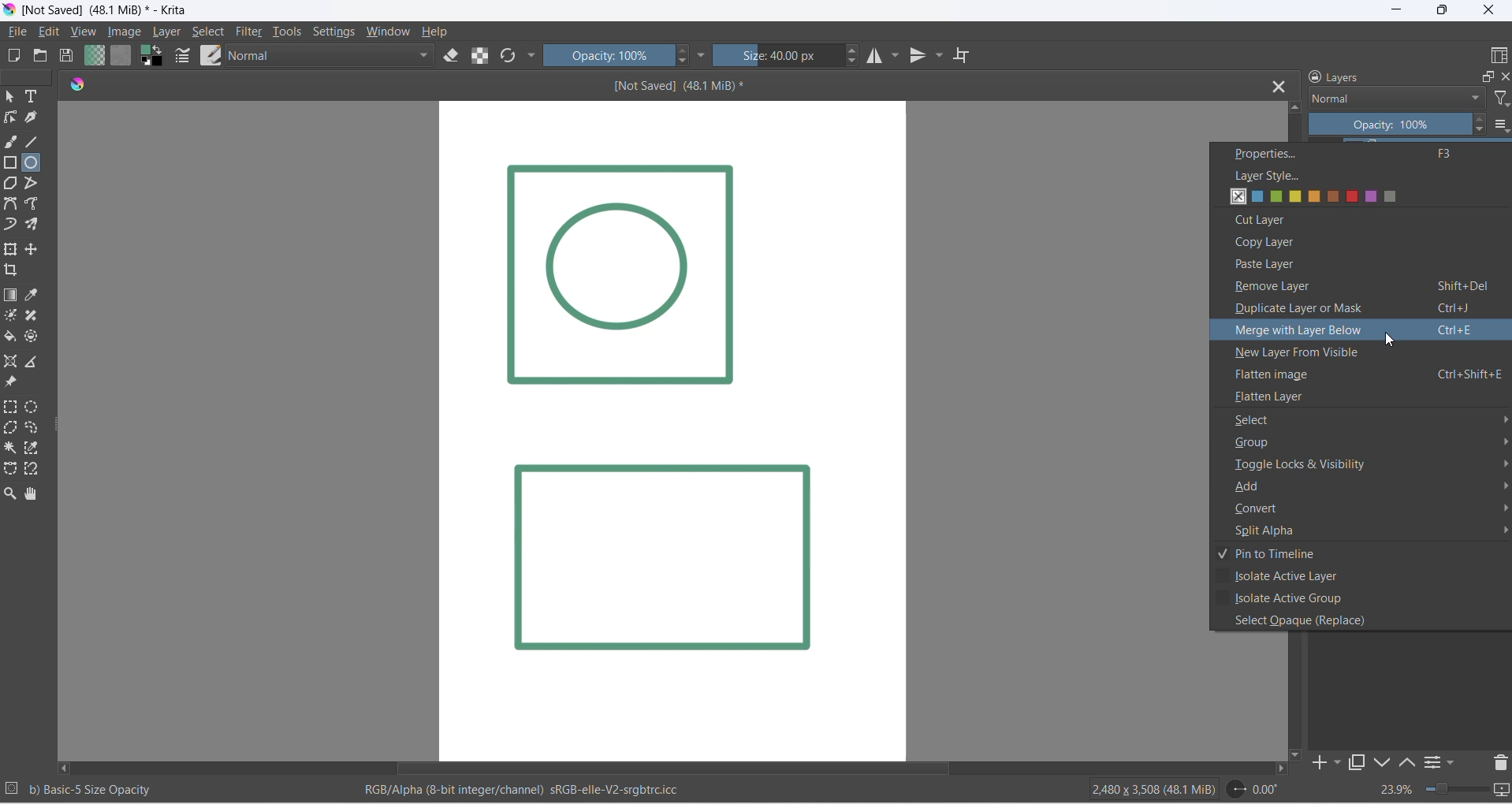 This screenshot has height=804, width=1512. I want to click on curve selection tool, so click(10, 470).